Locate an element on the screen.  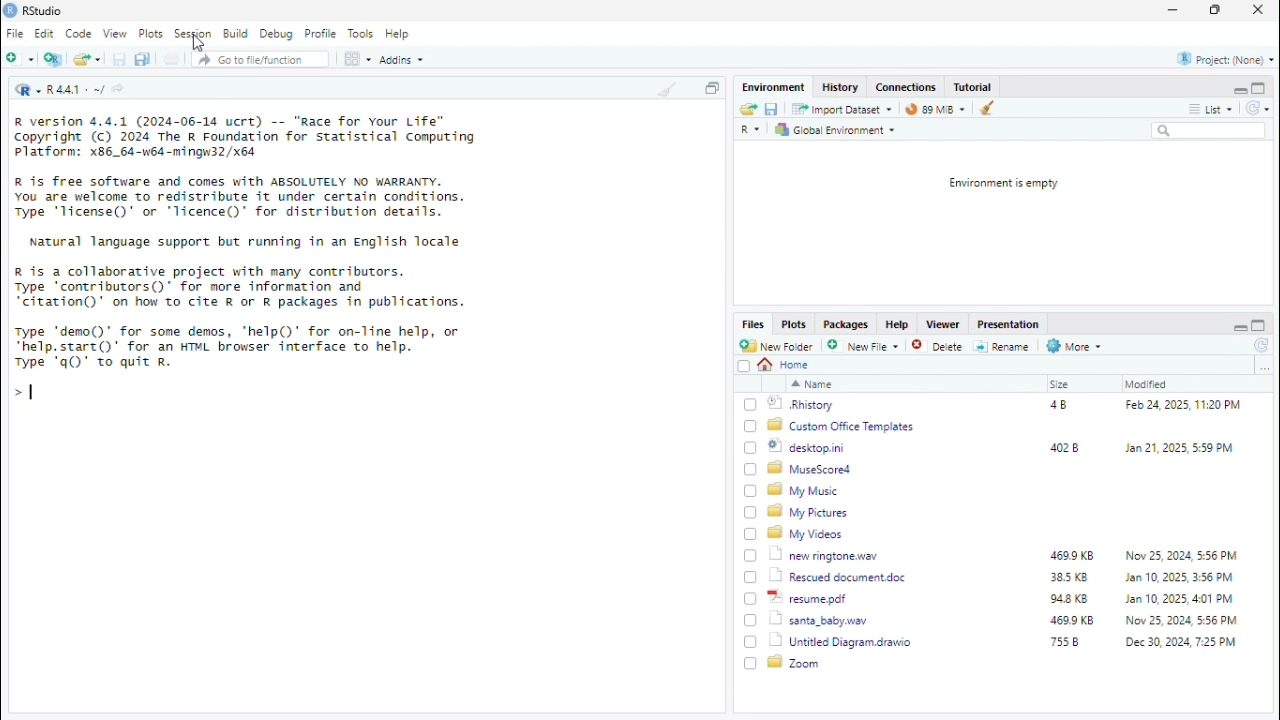
Untitled Diagram.drawio 755B Dec 30, 2024, 7.25 PM is located at coordinates (1005, 642).